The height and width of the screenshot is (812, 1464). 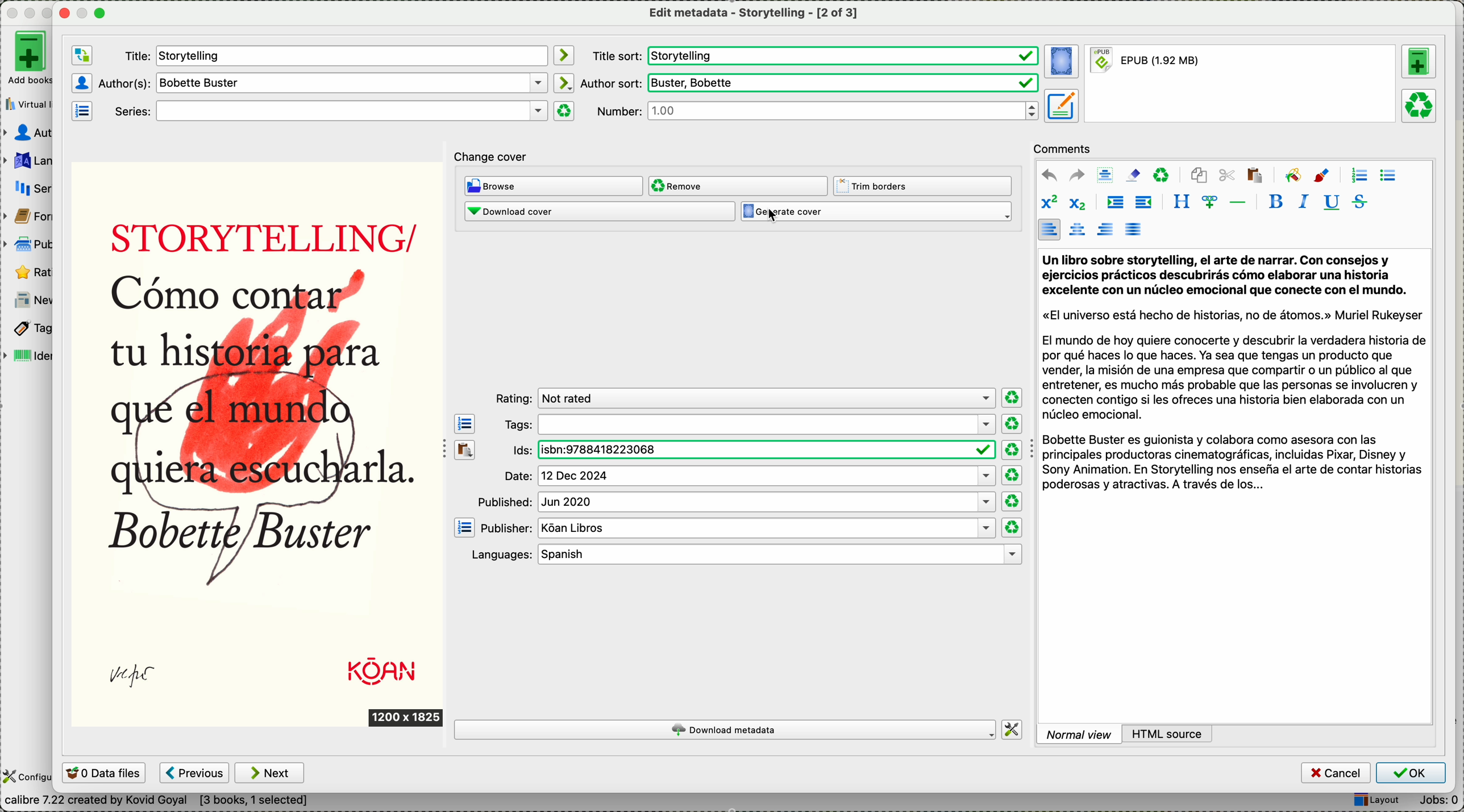 What do you see at coordinates (1051, 202) in the screenshot?
I see `superscript` at bounding box center [1051, 202].